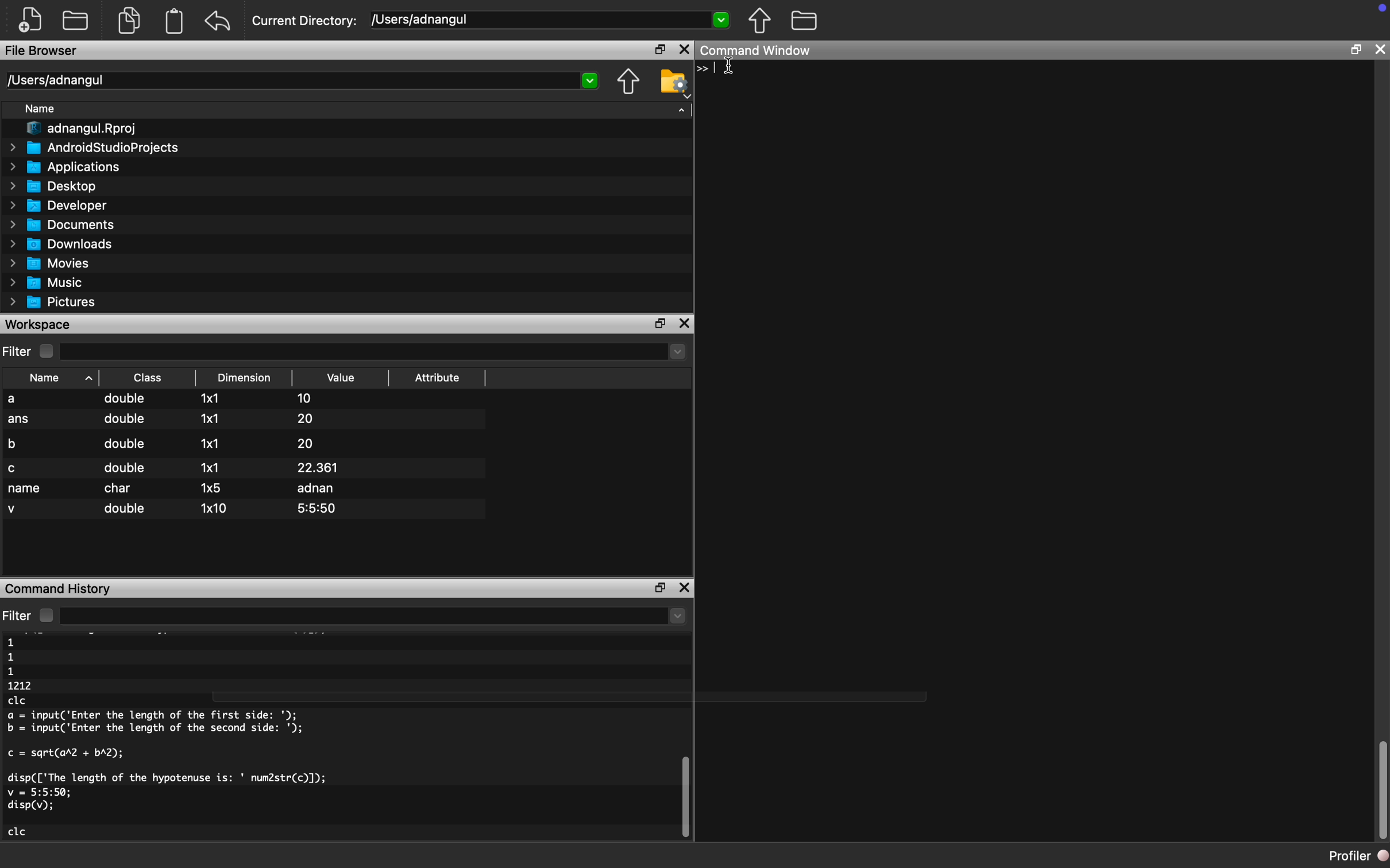 The width and height of the screenshot is (1390, 868). Describe the element at coordinates (43, 51) in the screenshot. I see `File Browser` at that location.